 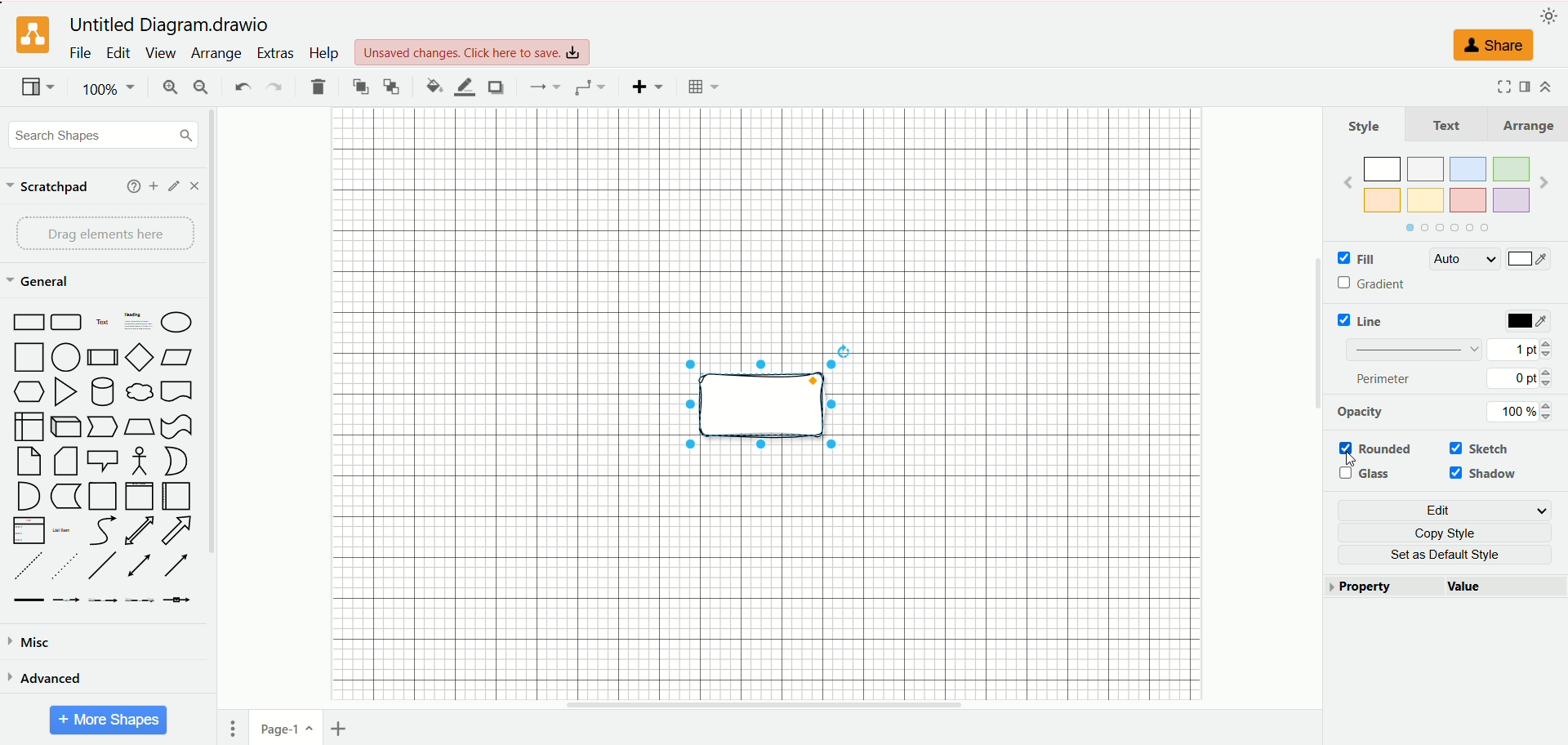 I want to click on edit, so click(x=118, y=53).